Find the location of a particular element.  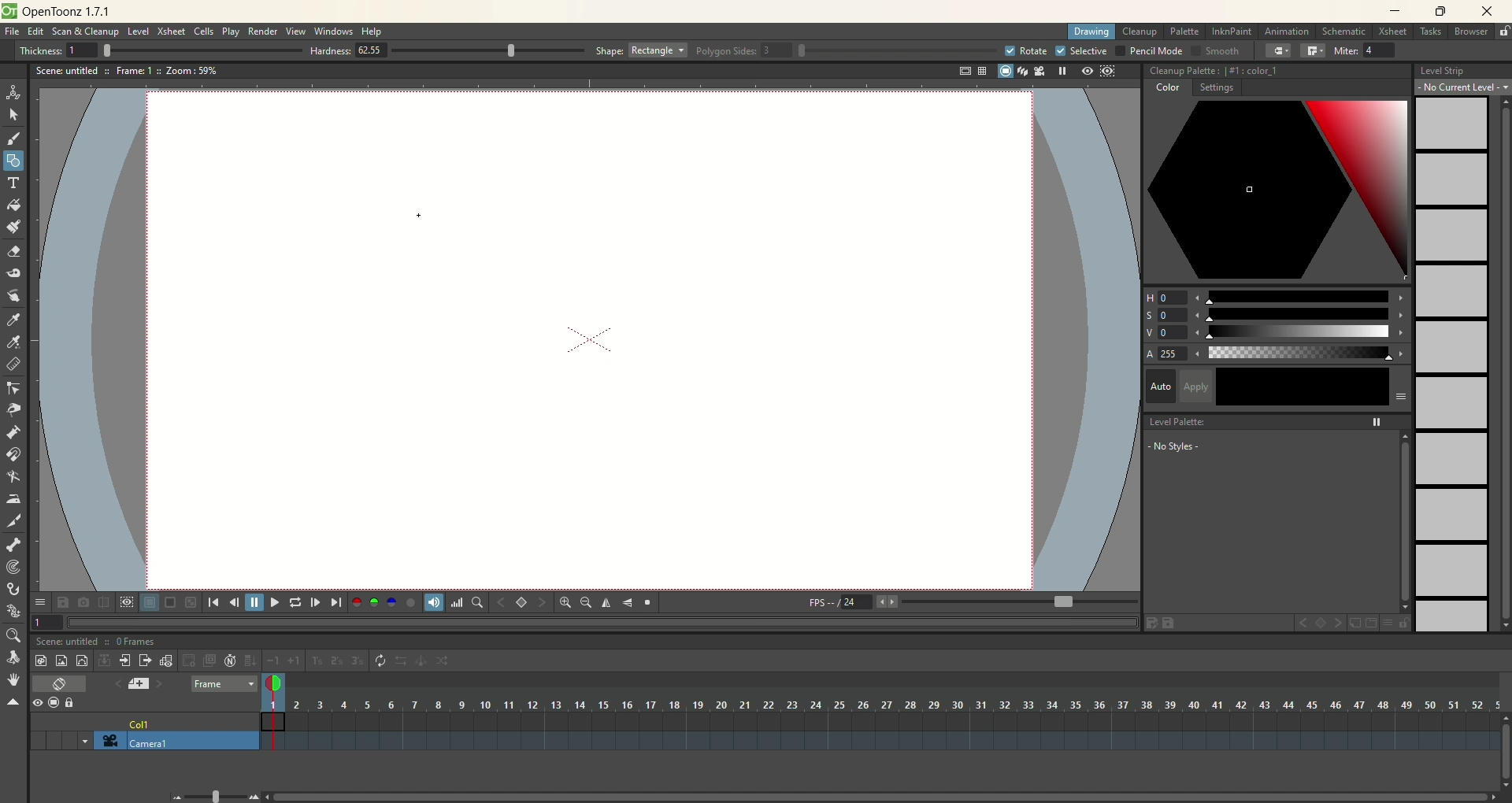

zoom out is located at coordinates (586, 604).